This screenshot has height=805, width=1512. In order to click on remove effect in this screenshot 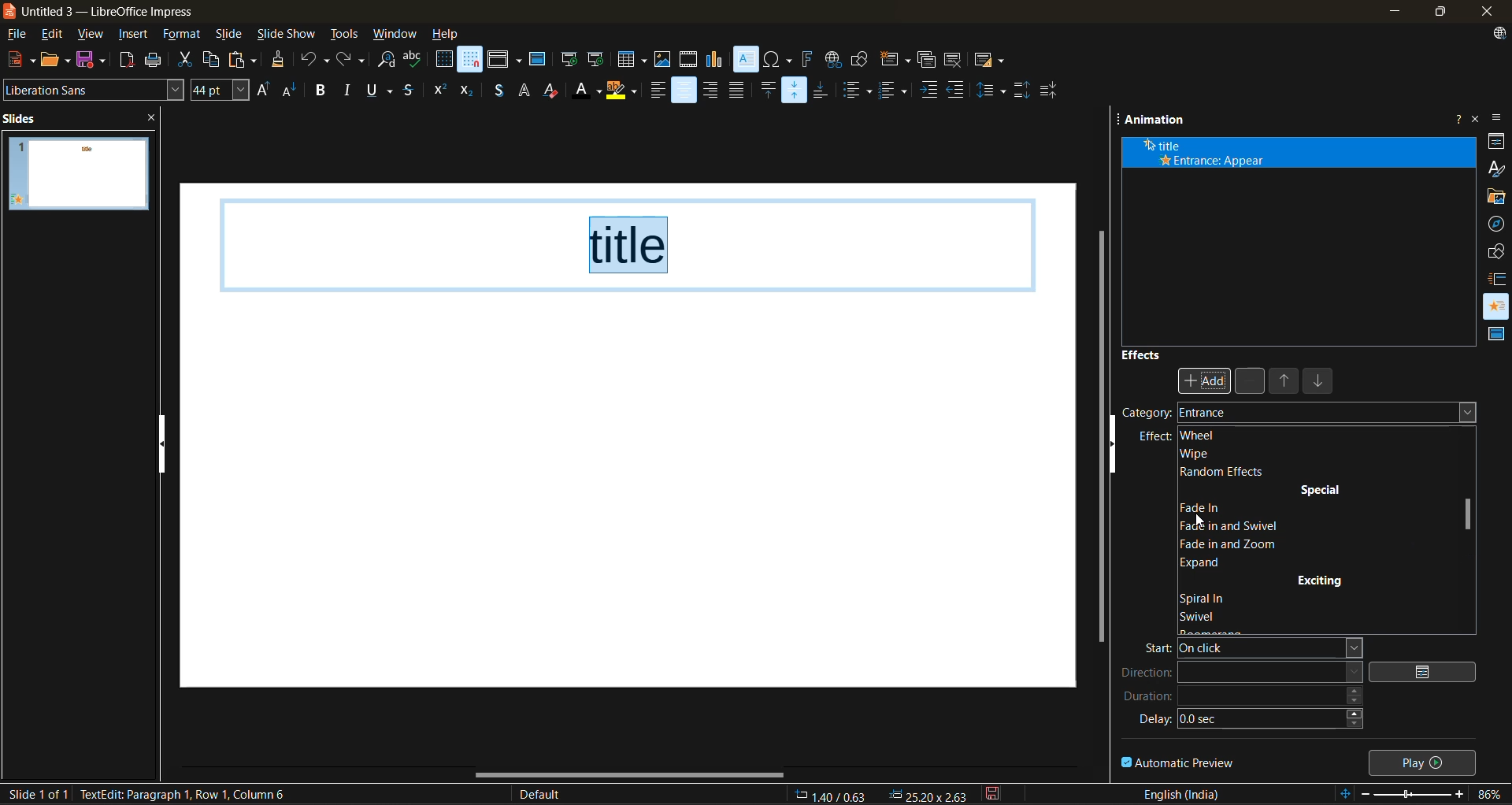, I will do `click(1251, 381)`.